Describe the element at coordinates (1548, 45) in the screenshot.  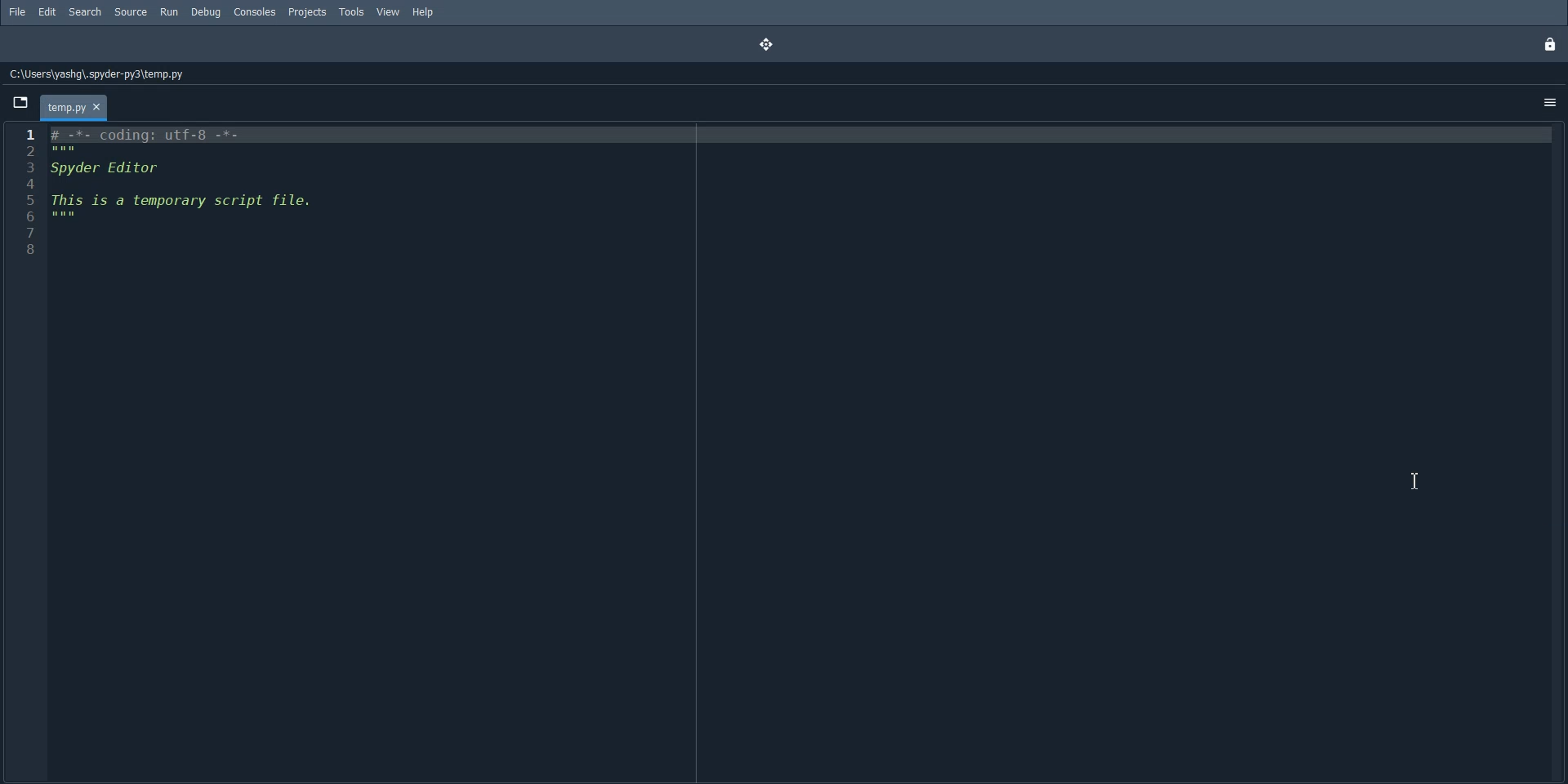
I see `Lock` at that location.